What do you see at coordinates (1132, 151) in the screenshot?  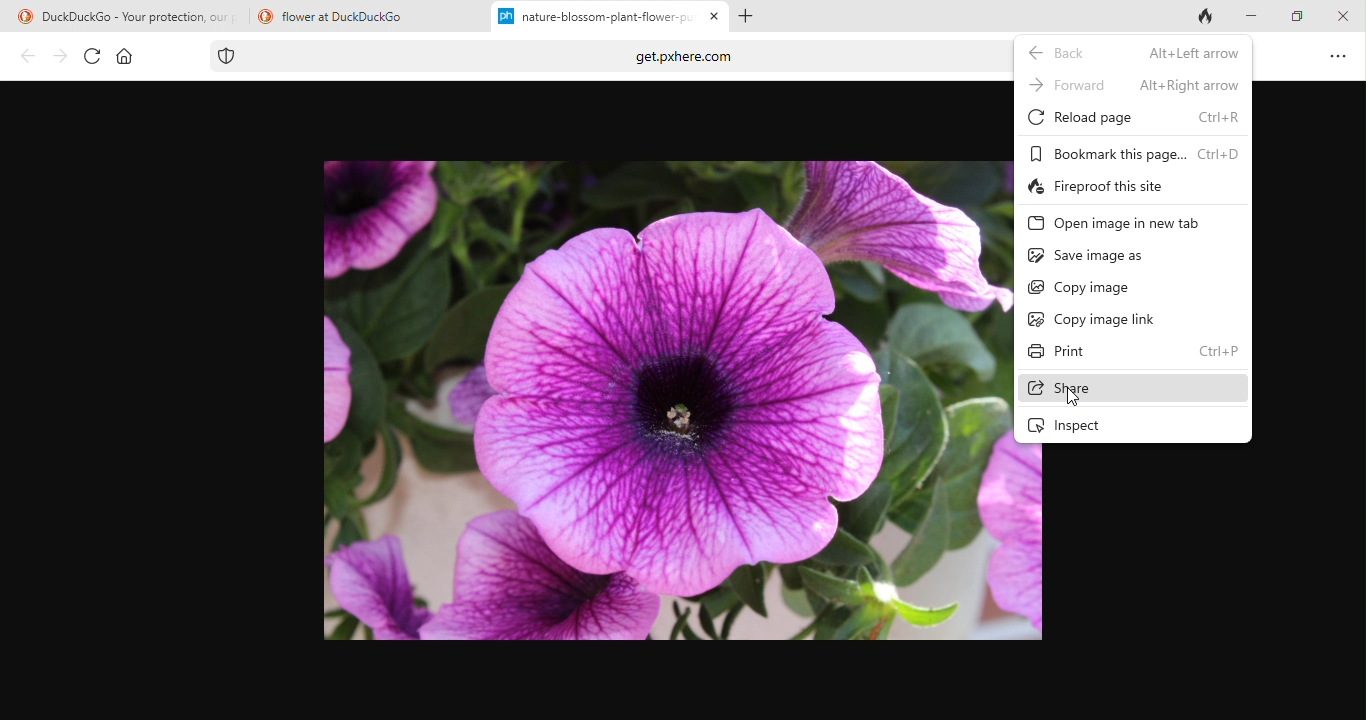 I see `bookmark this page` at bounding box center [1132, 151].